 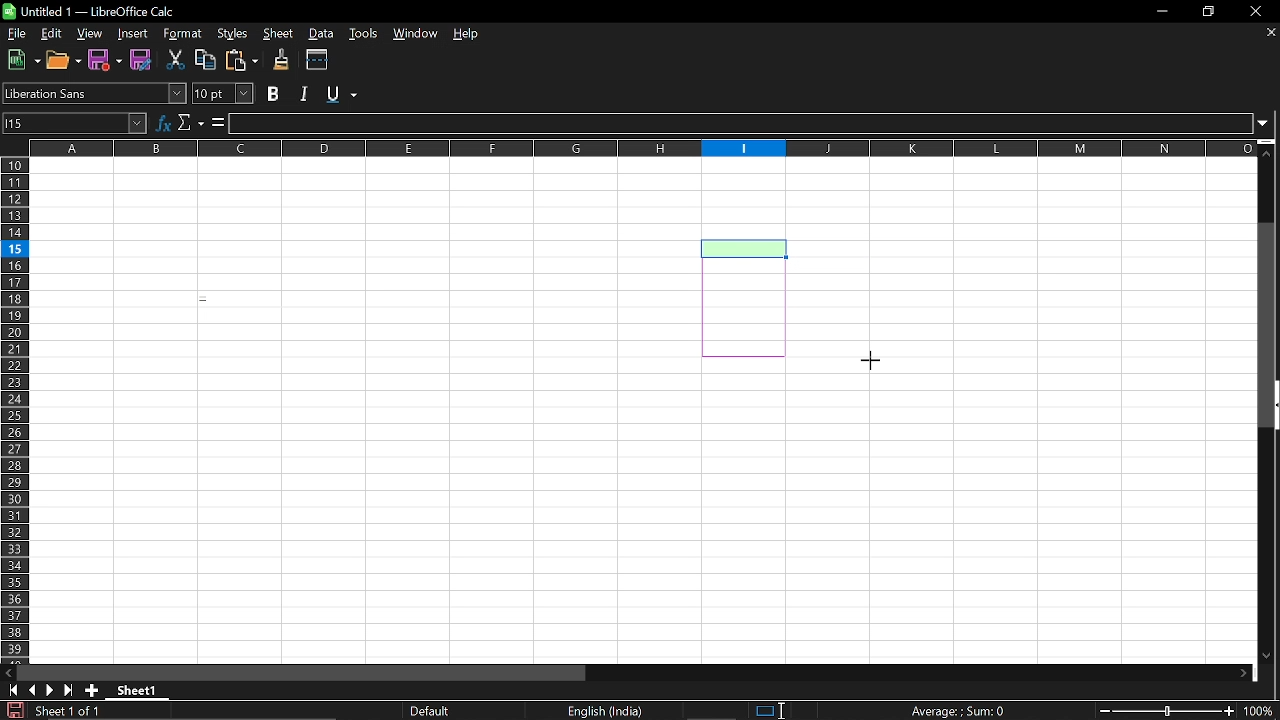 I want to click on Fillable cells, so click(x=366, y=411).